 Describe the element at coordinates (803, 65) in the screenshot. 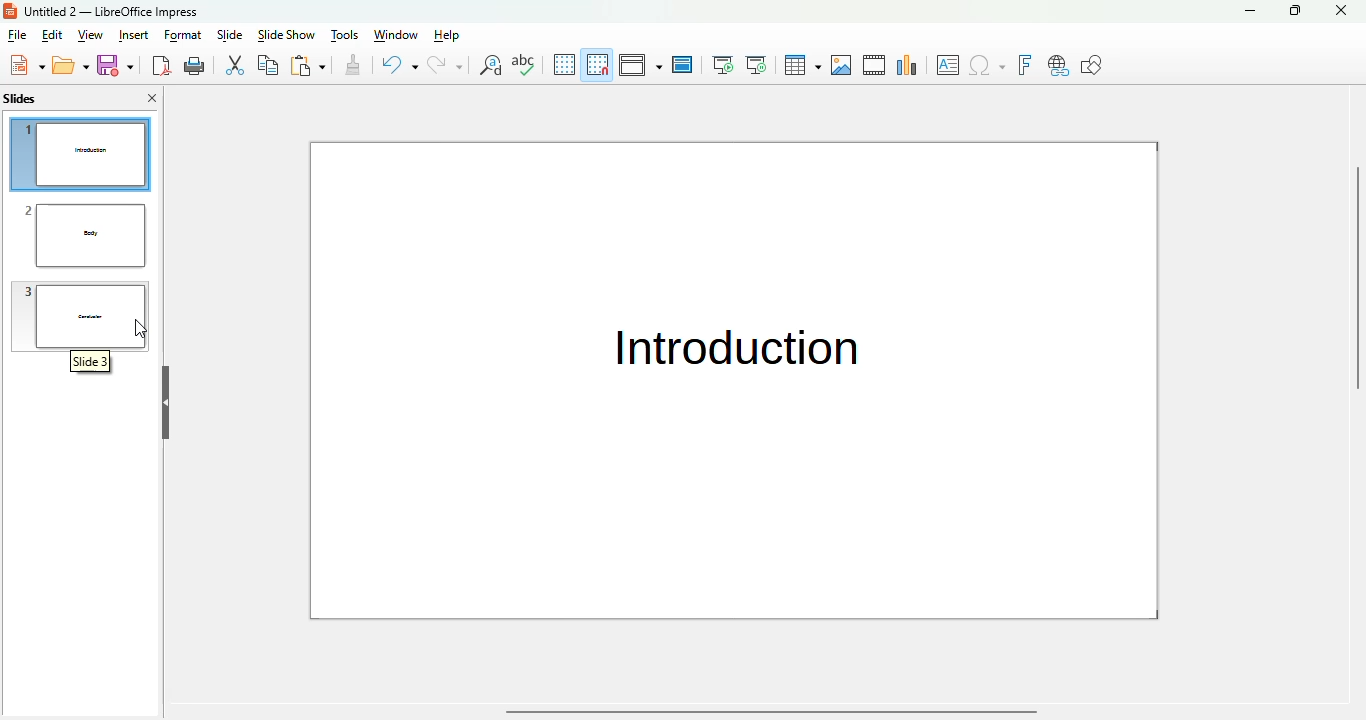

I see `table` at that location.